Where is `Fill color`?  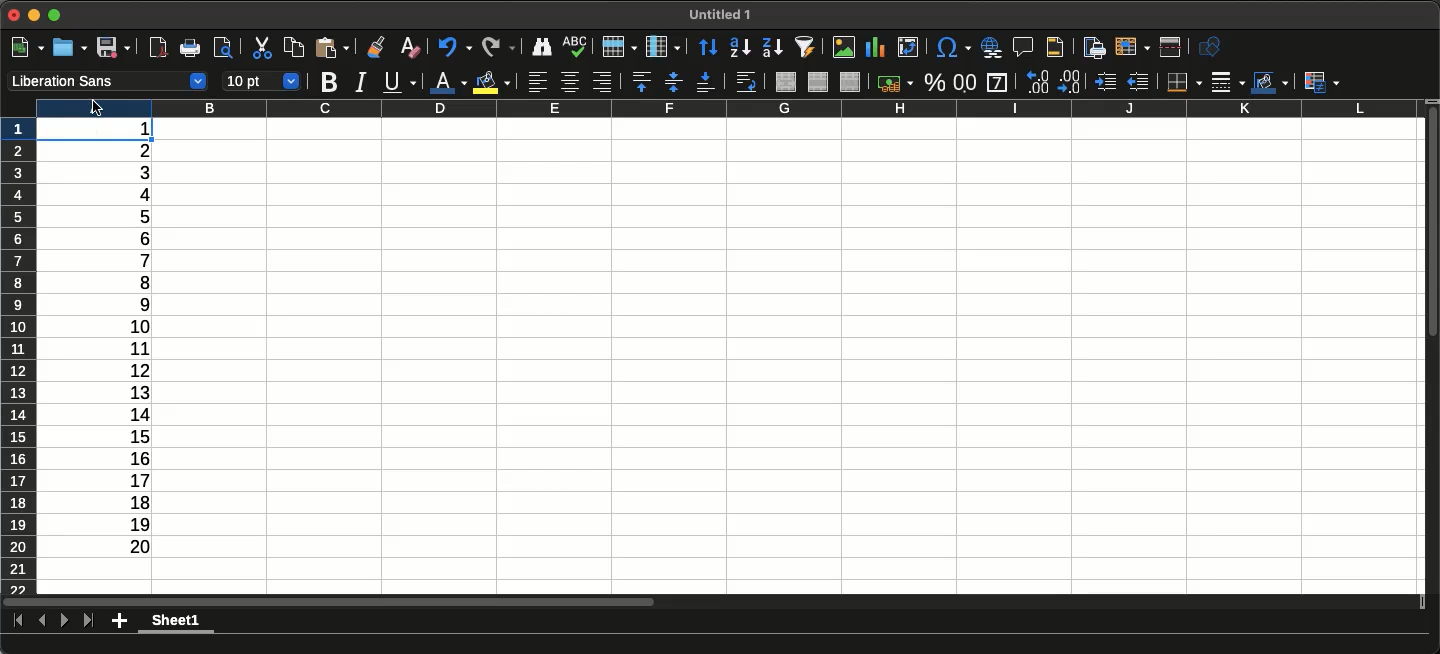
Fill color is located at coordinates (491, 83).